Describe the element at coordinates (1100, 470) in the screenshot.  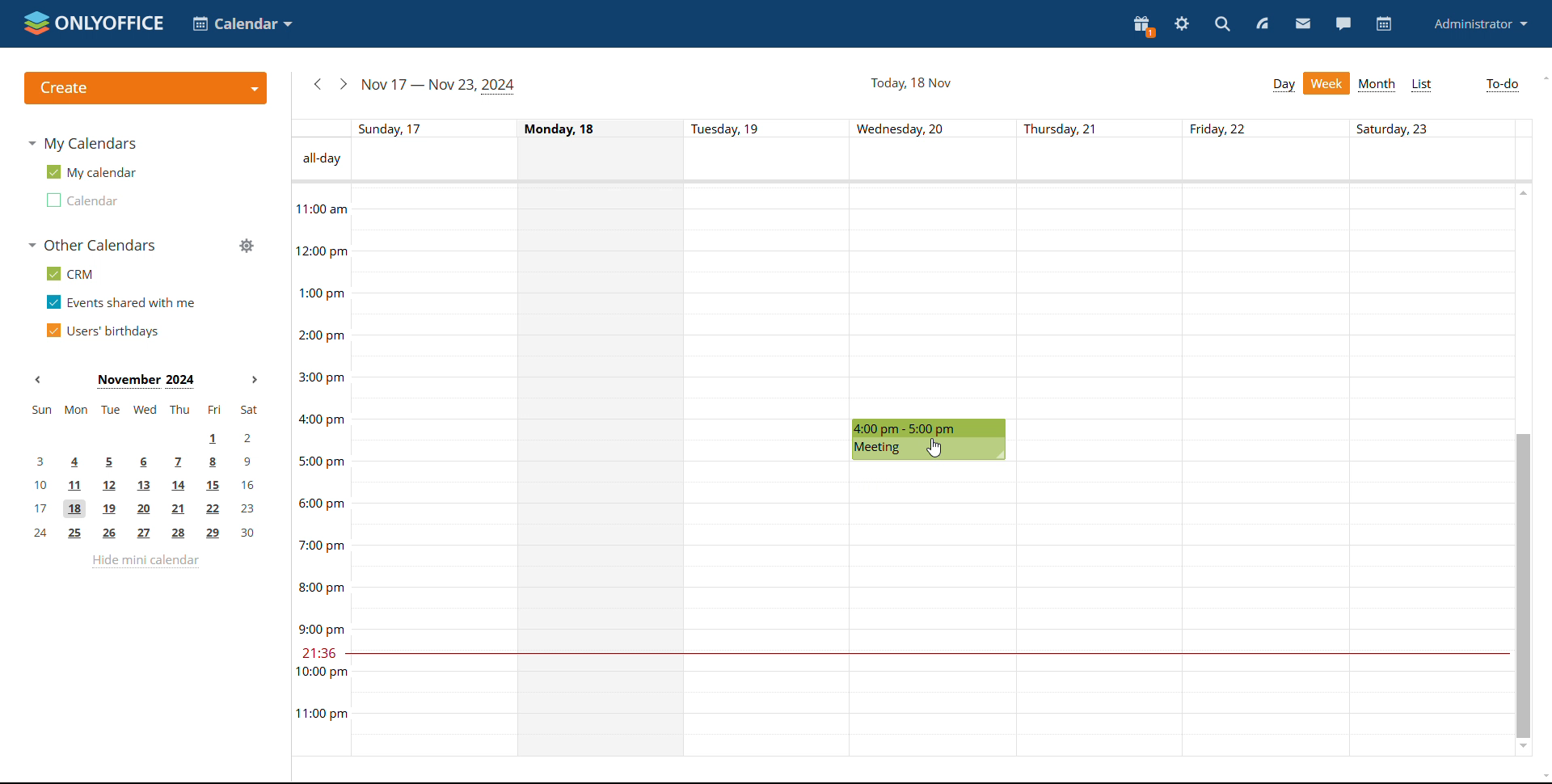
I see `Thursday` at that location.